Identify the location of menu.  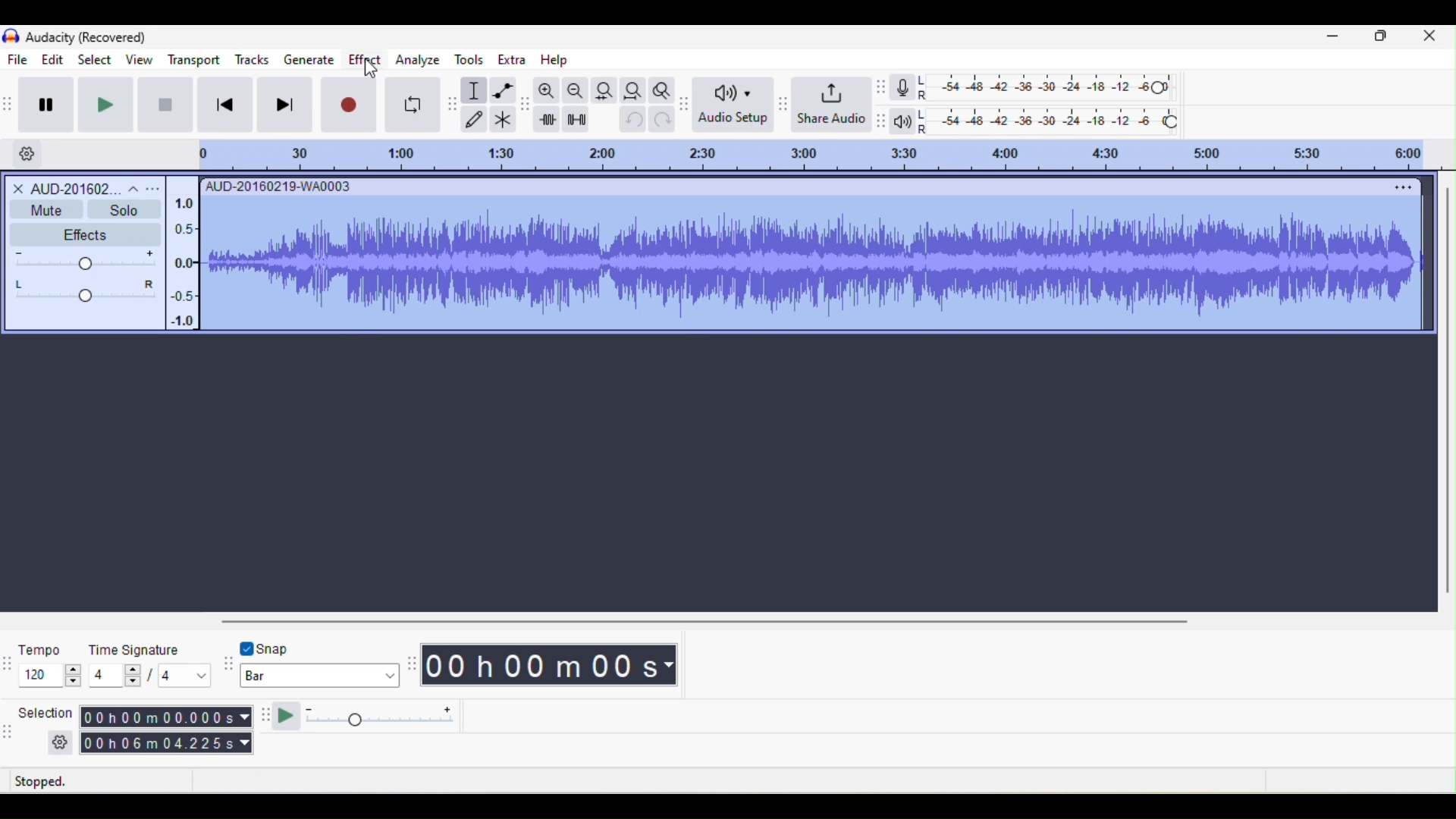
(1404, 188).